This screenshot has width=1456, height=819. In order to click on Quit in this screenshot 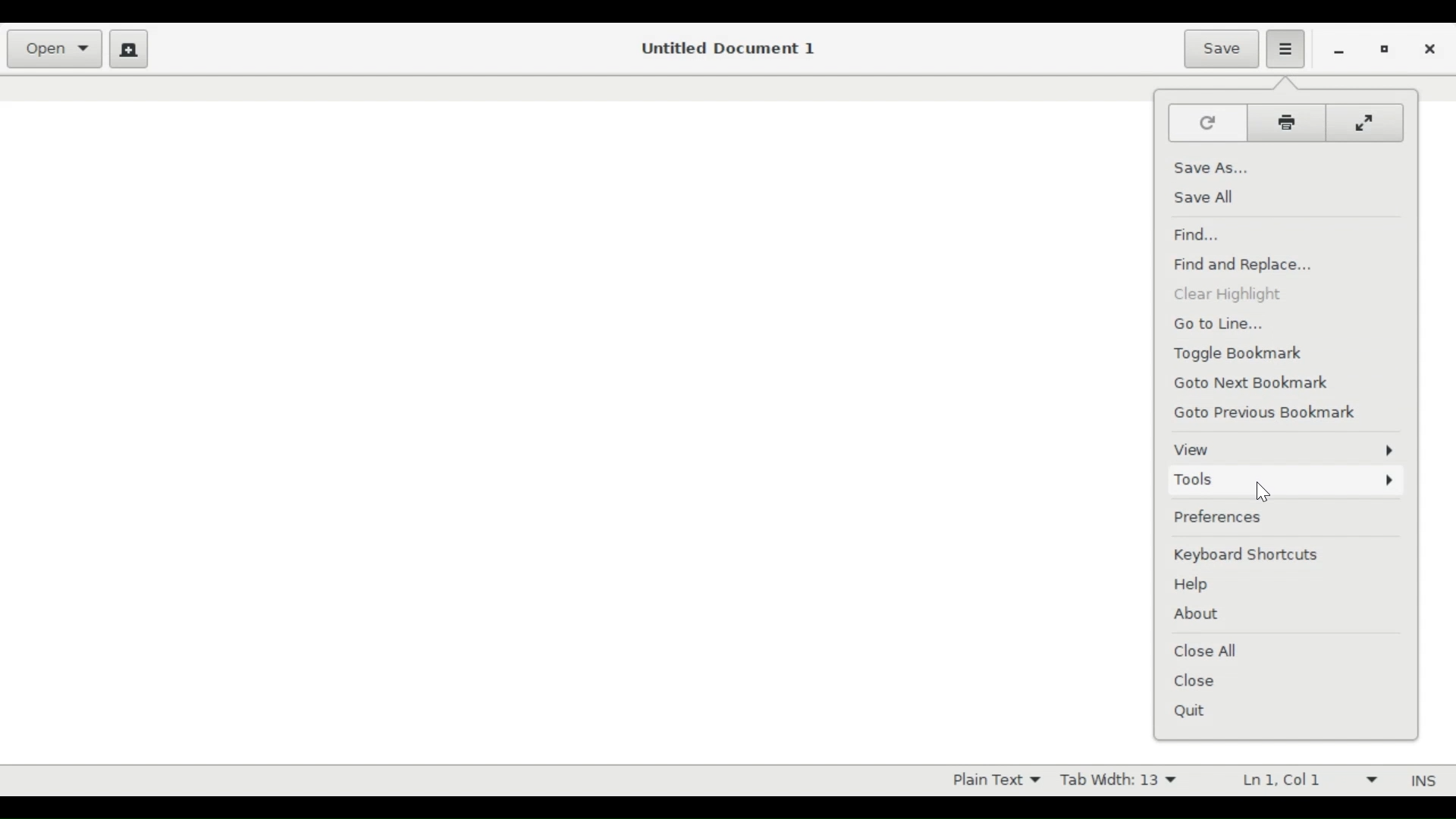, I will do `click(1194, 713)`.